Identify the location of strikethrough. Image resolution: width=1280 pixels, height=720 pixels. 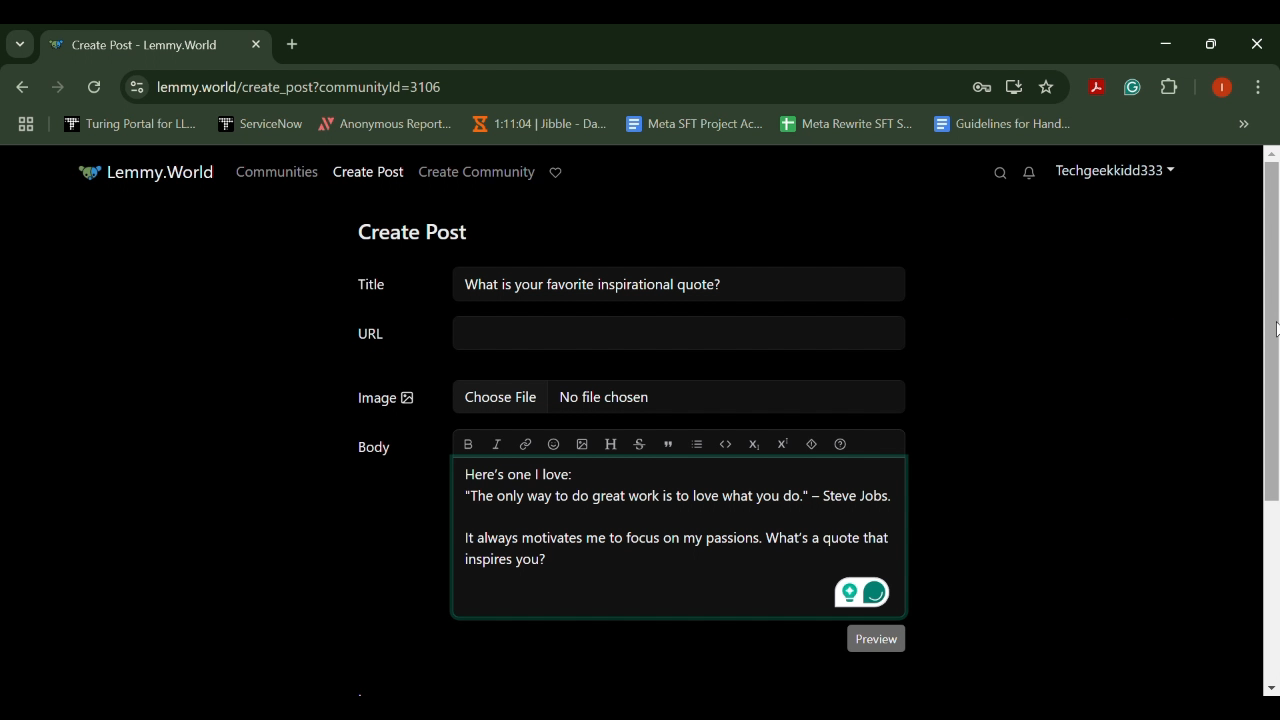
(639, 443).